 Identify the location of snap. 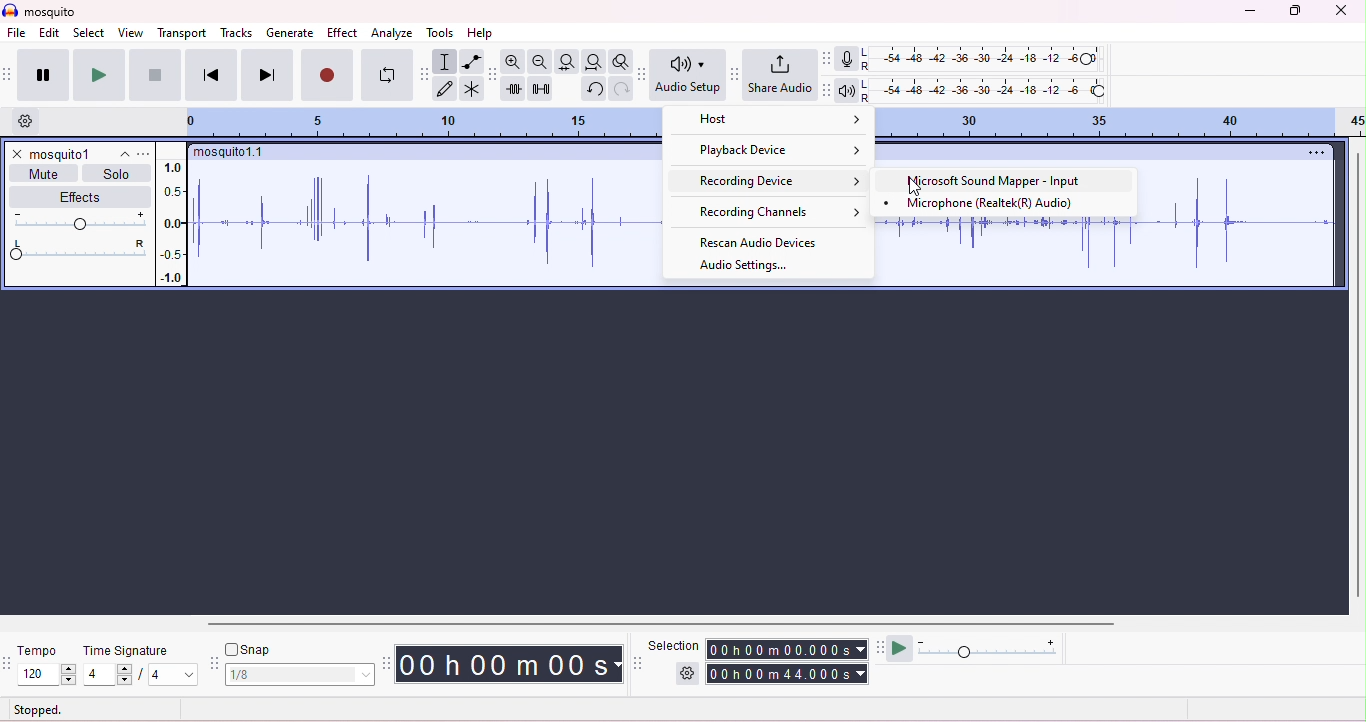
(248, 649).